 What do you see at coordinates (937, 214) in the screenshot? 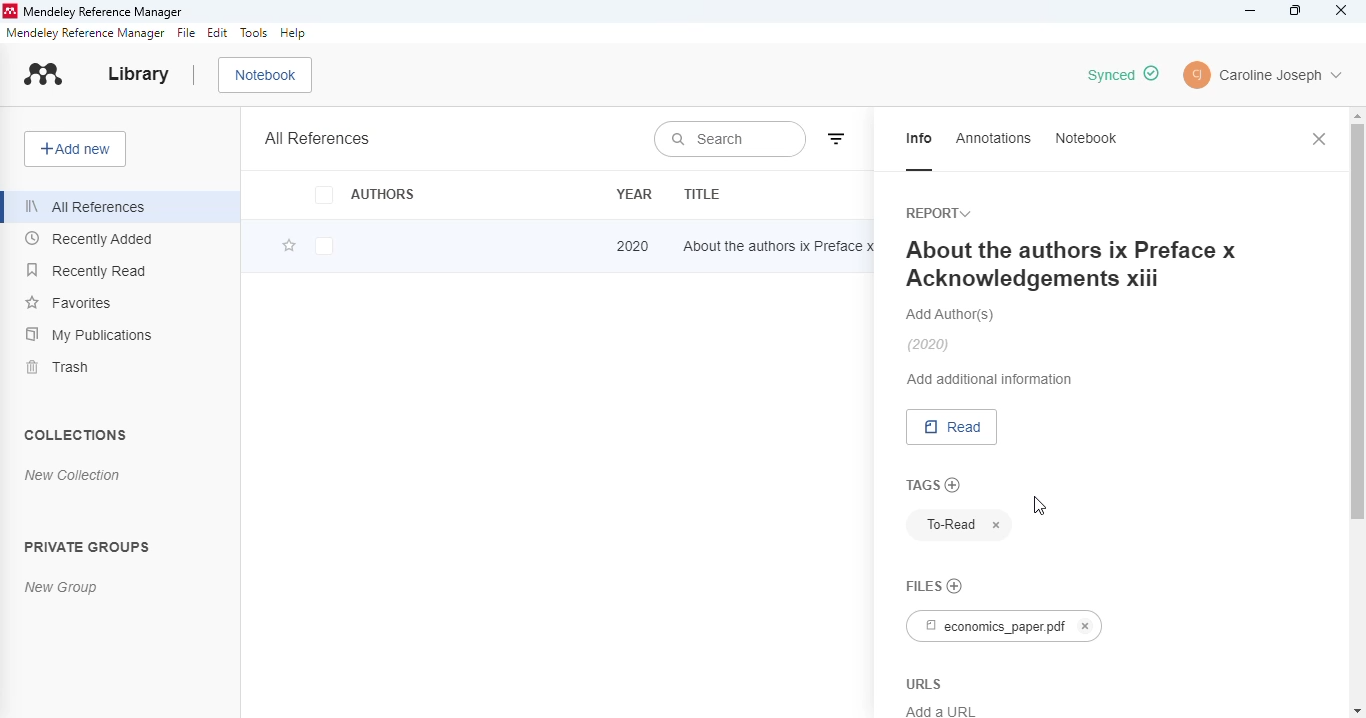
I see `report` at bounding box center [937, 214].